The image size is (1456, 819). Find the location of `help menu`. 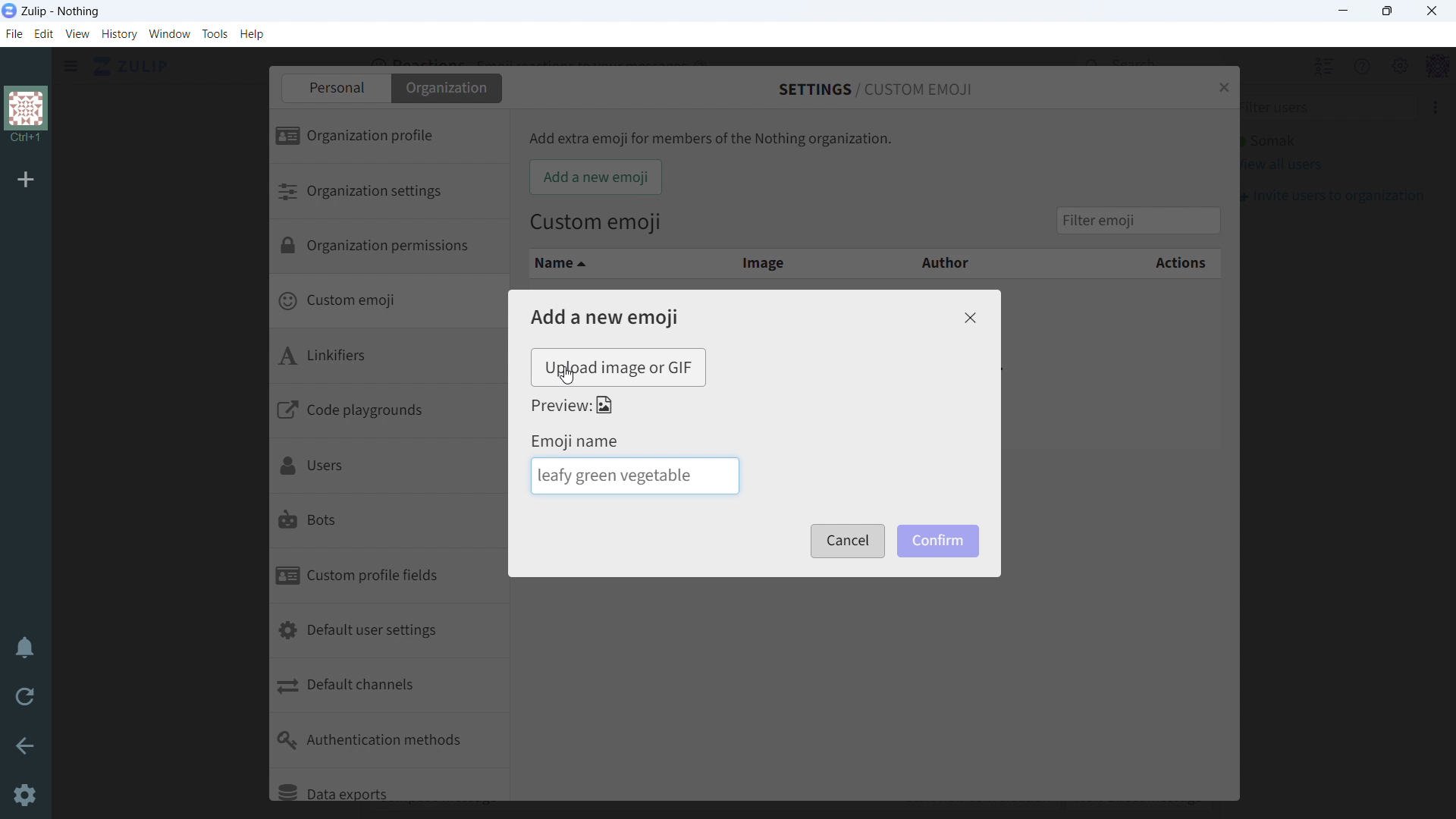

help menu is located at coordinates (1346, 66).